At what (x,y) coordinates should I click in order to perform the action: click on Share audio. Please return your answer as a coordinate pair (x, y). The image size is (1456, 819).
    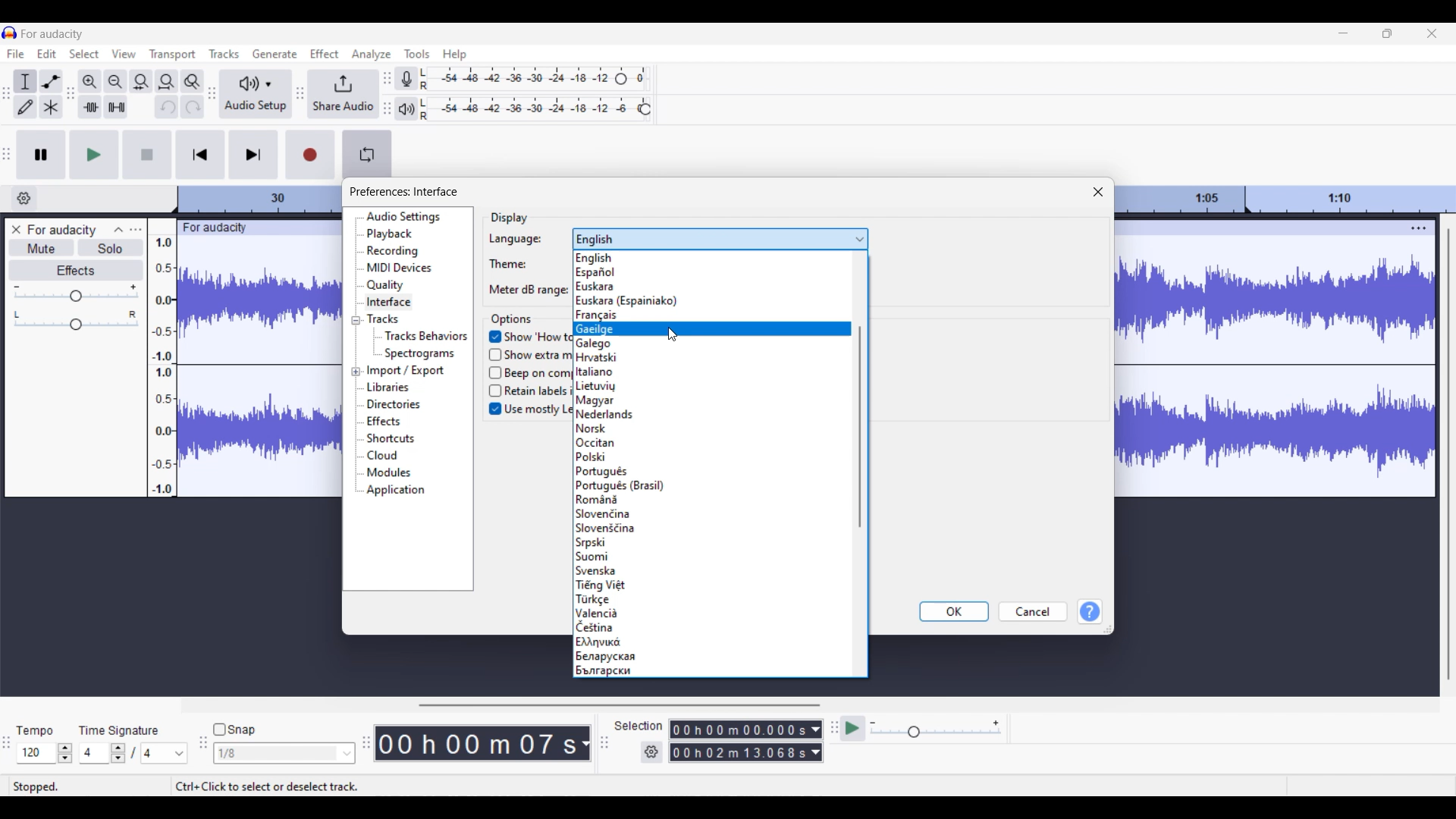
    Looking at the image, I should click on (343, 95).